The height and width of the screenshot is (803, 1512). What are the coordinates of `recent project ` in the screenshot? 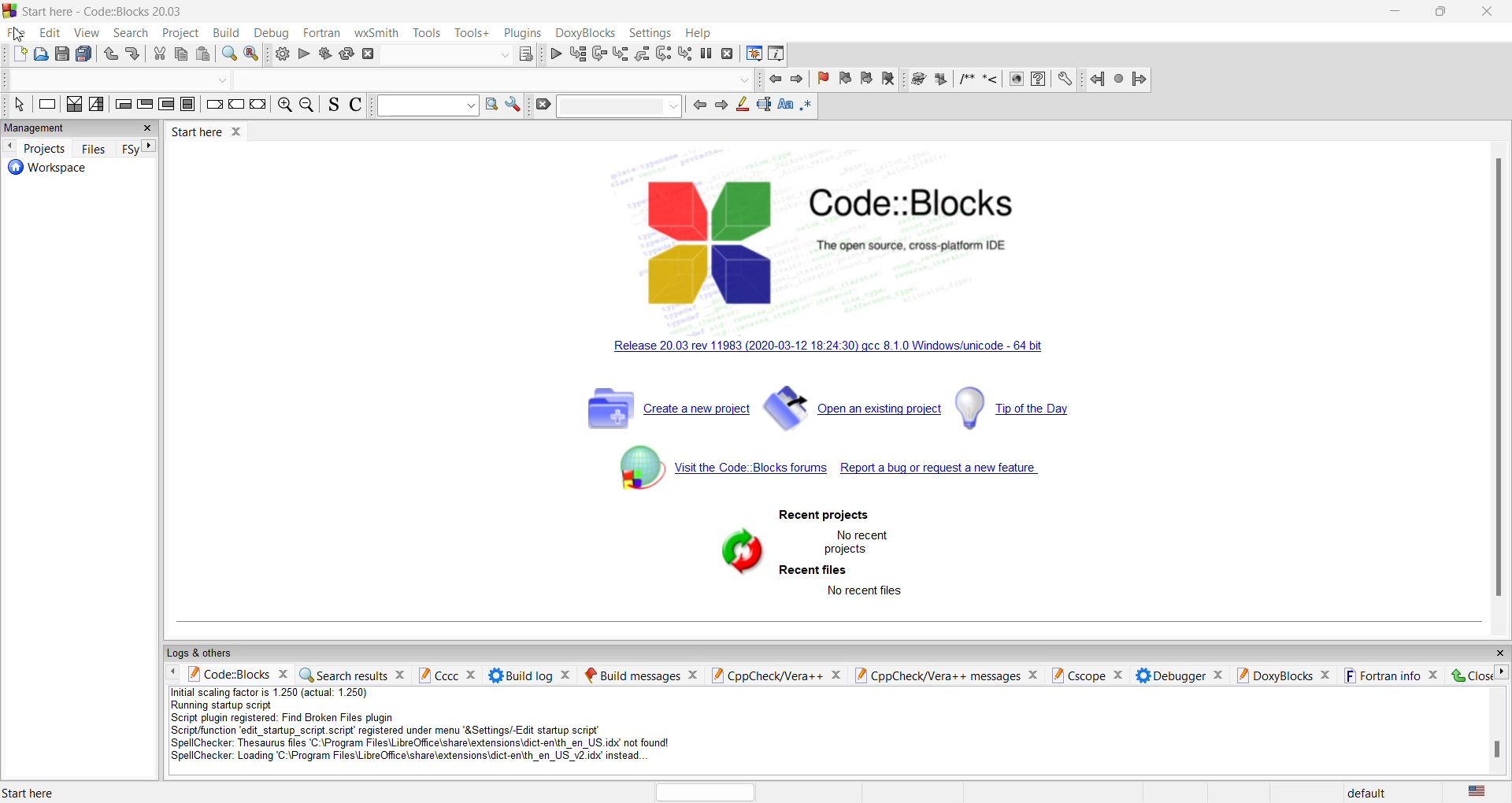 It's located at (823, 516).